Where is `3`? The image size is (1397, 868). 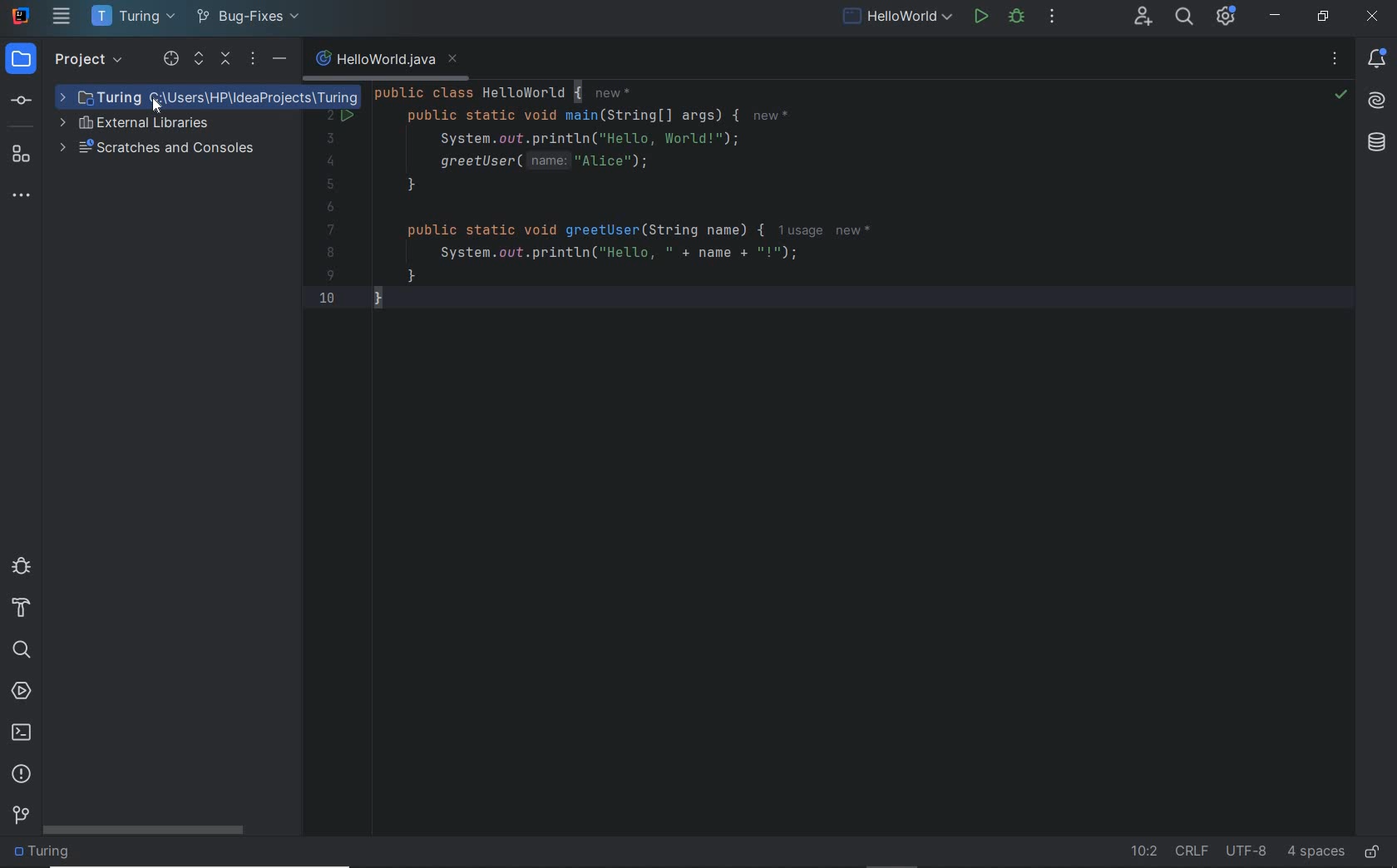 3 is located at coordinates (328, 138).